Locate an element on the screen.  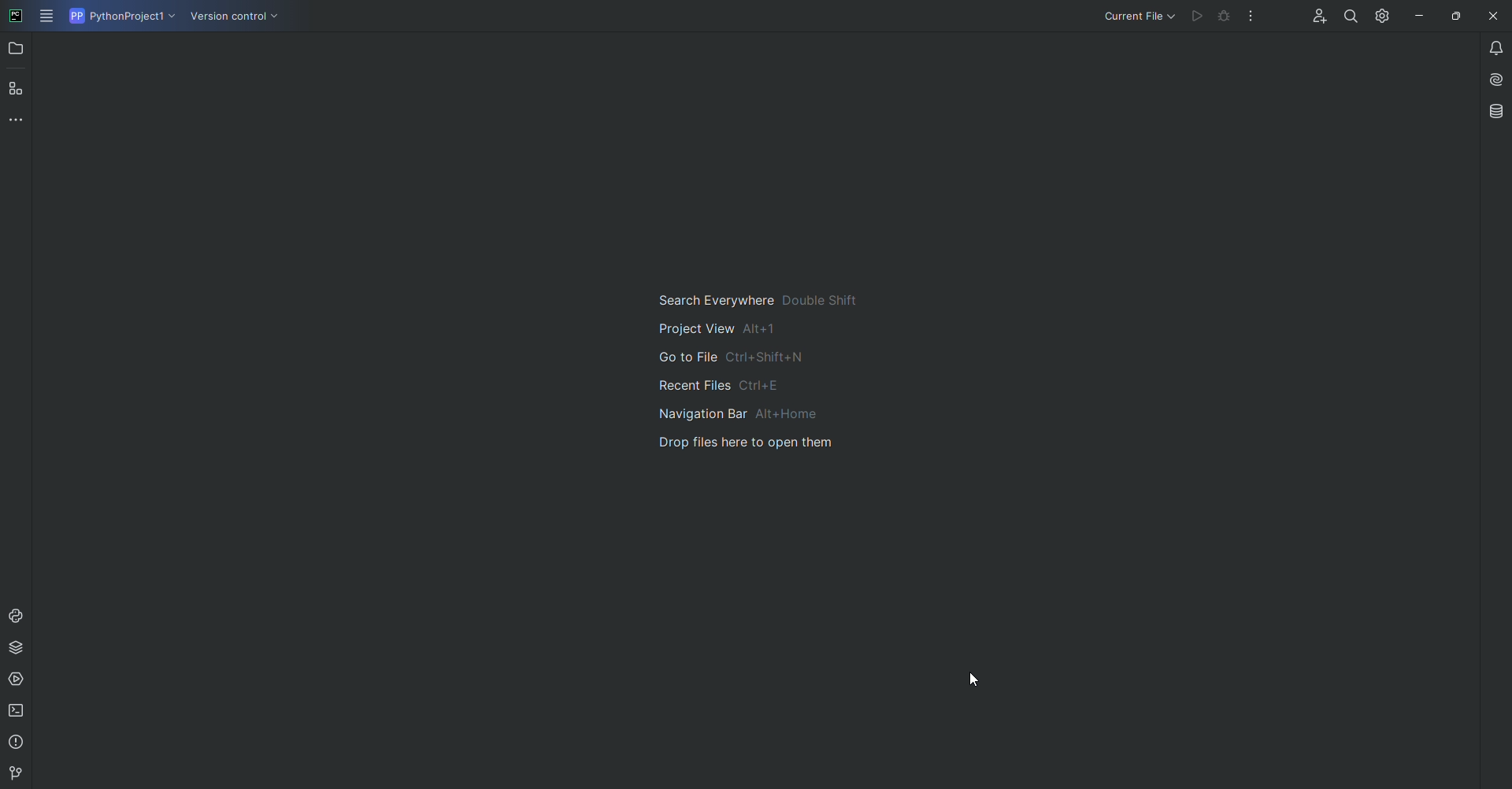
Notifications is located at coordinates (1487, 47).